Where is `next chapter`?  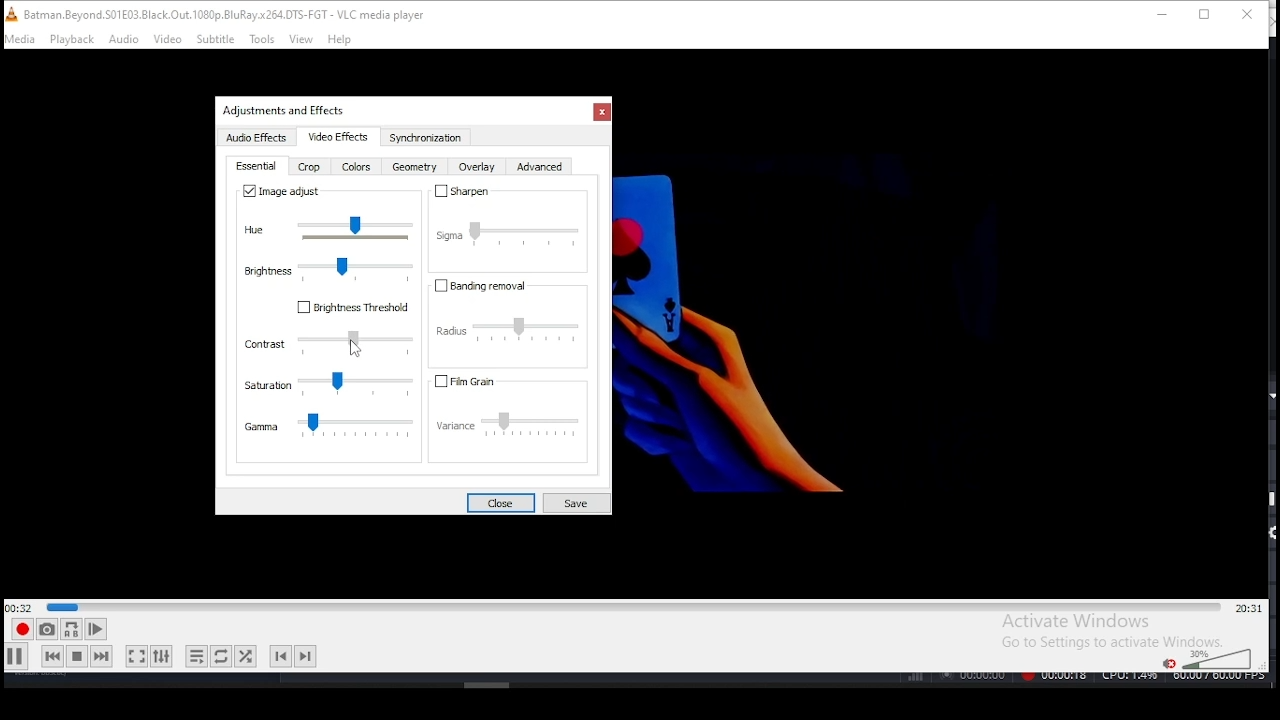 next chapter is located at coordinates (307, 654).